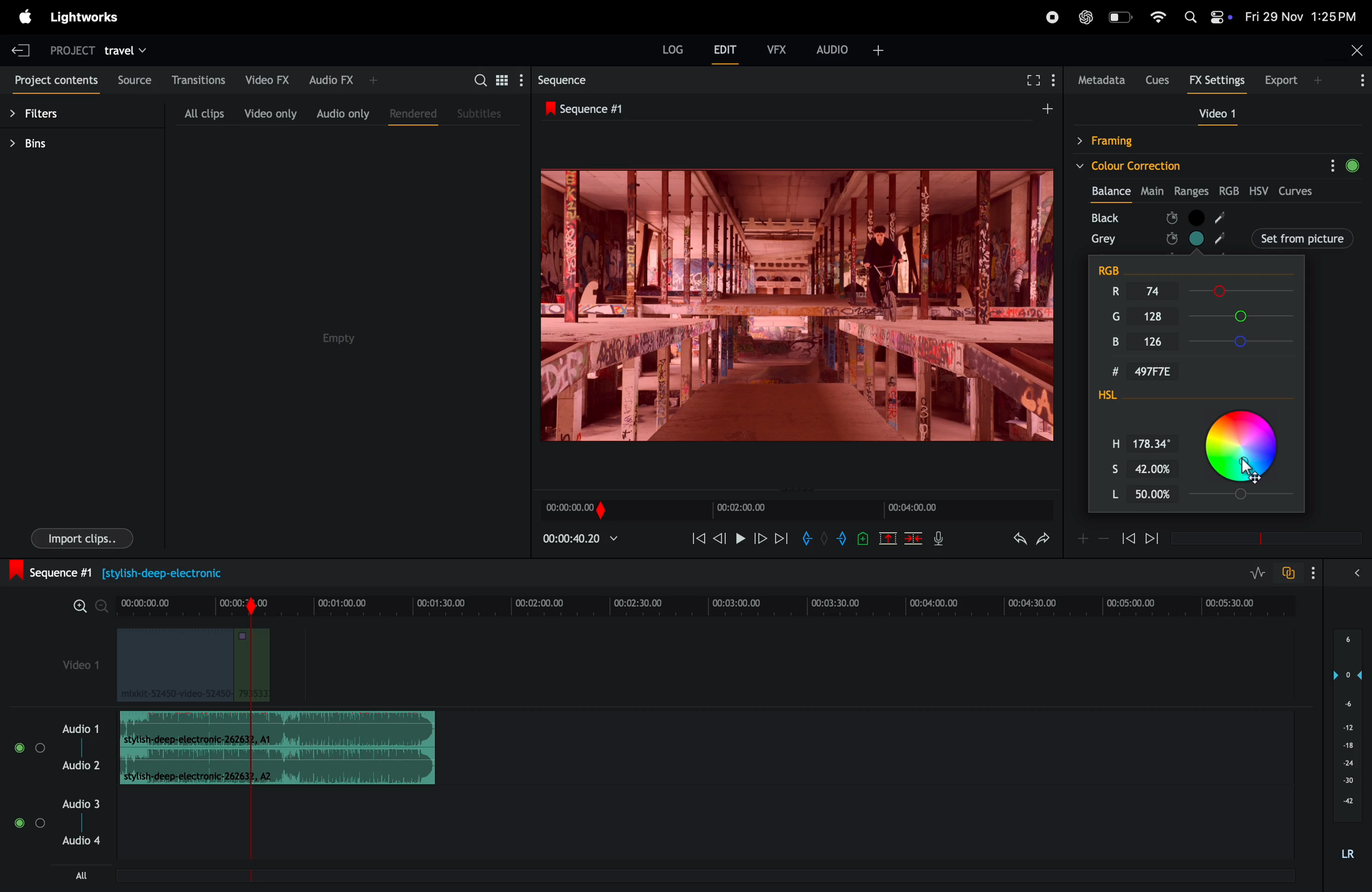  Describe the element at coordinates (1287, 573) in the screenshot. I see `tofggle audio track` at that location.